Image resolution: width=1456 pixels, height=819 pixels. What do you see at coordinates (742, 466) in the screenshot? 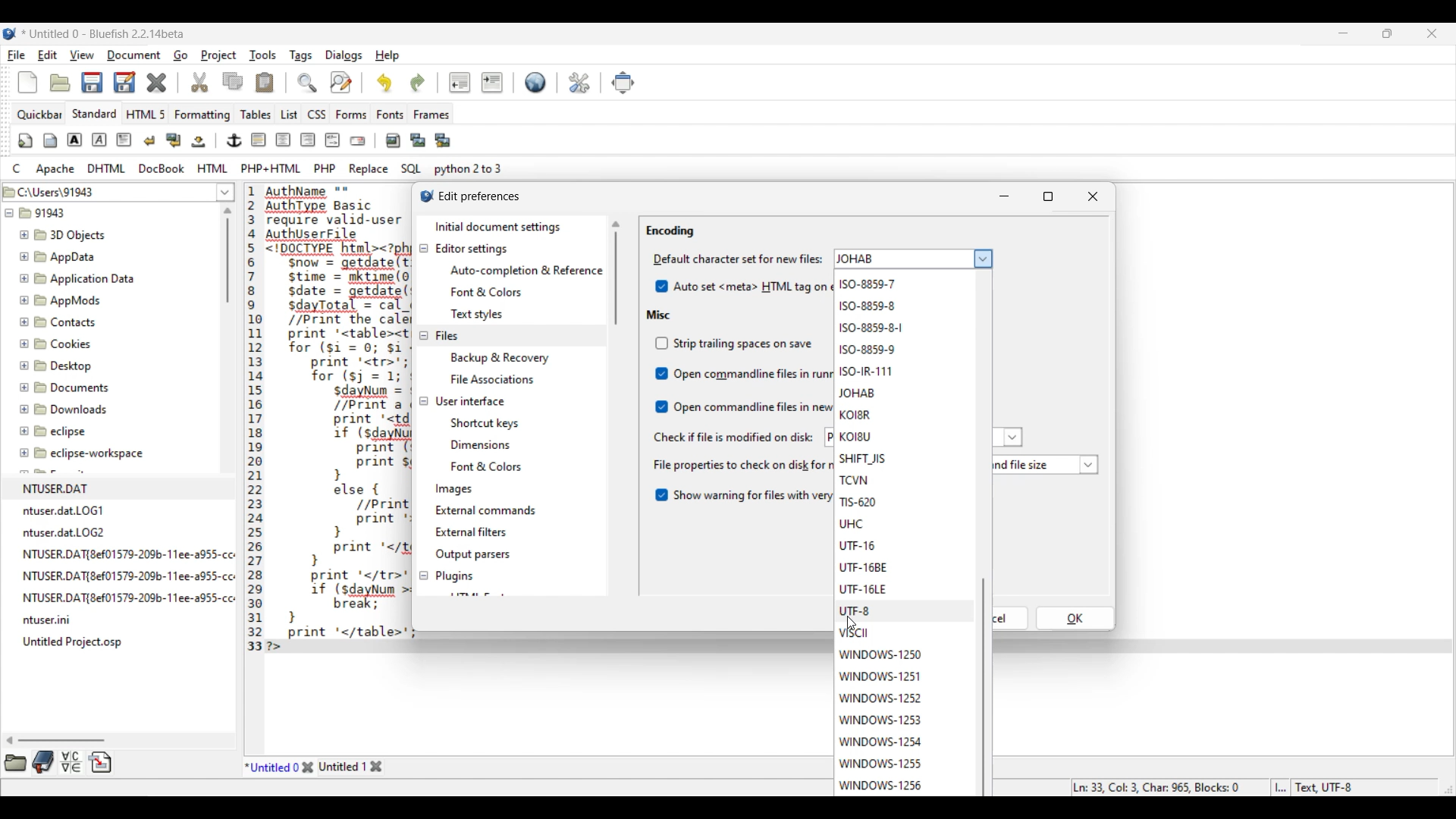
I see `Indicates file properties to check on disk for modification` at bounding box center [742, 466].